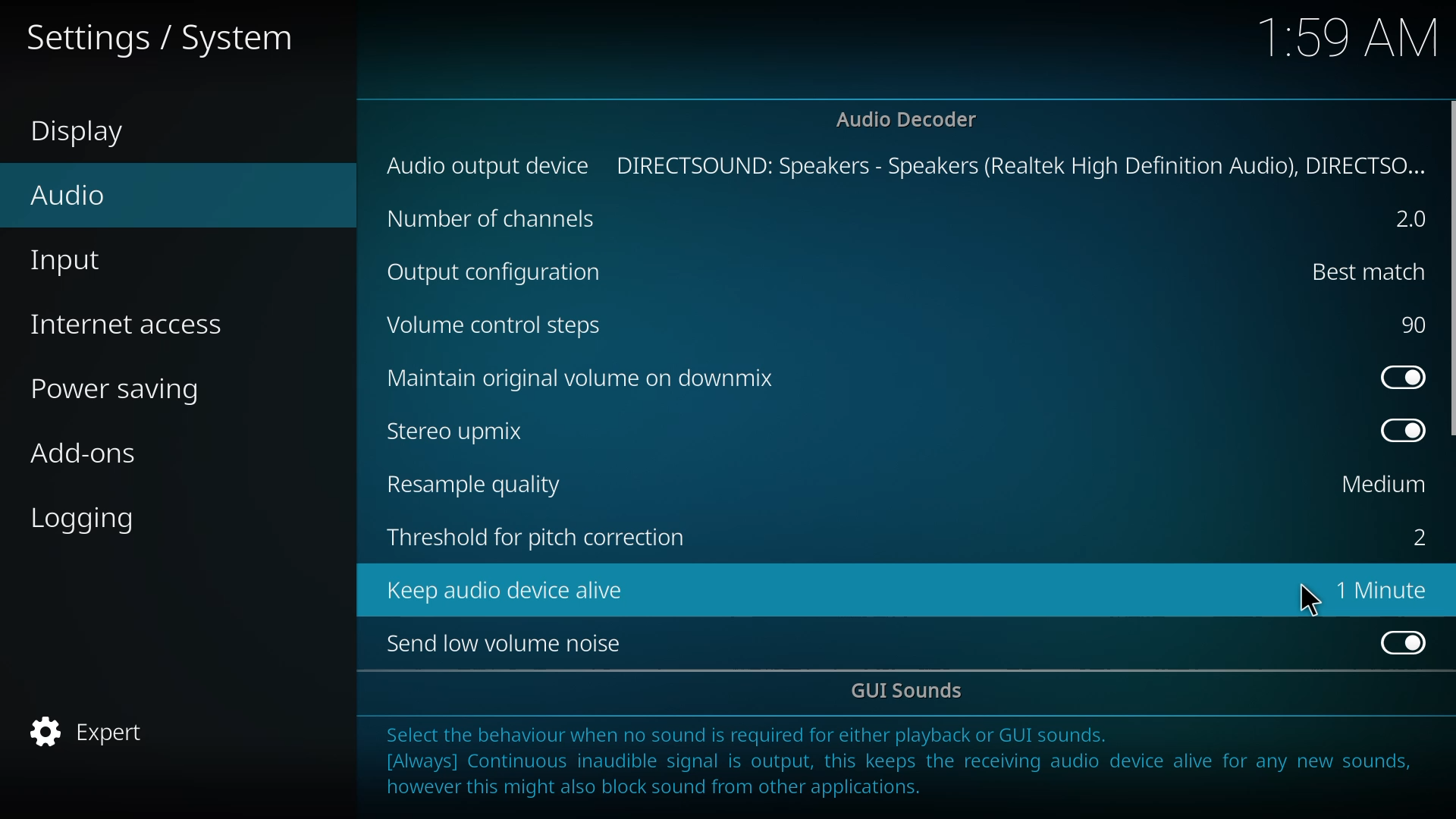  What do you see at coordinates (1403, 219) in the screenshot?
I see `2` at bounding box center [1403, 219].